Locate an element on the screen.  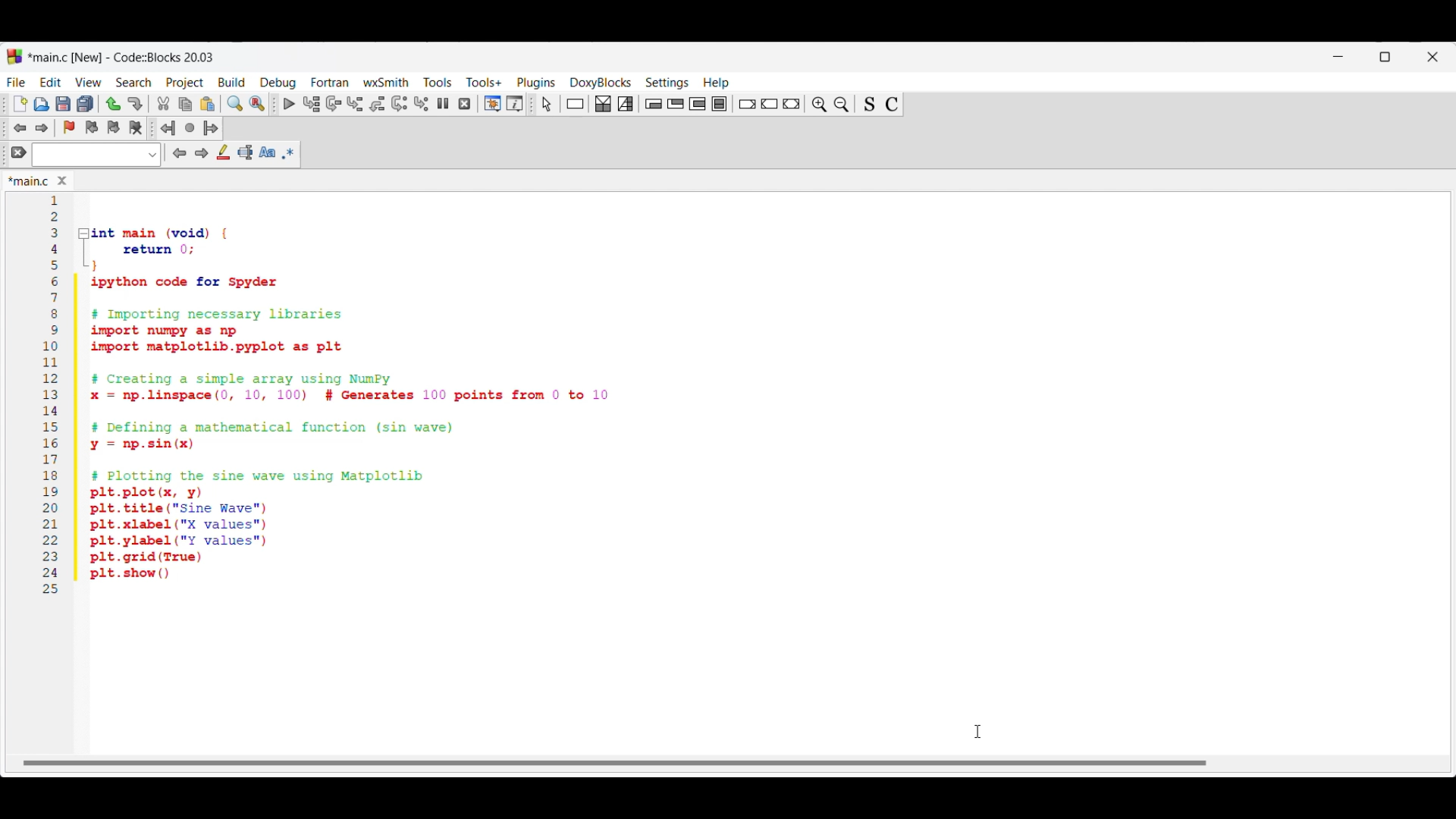
View menu is located at coordinates (88, 83).